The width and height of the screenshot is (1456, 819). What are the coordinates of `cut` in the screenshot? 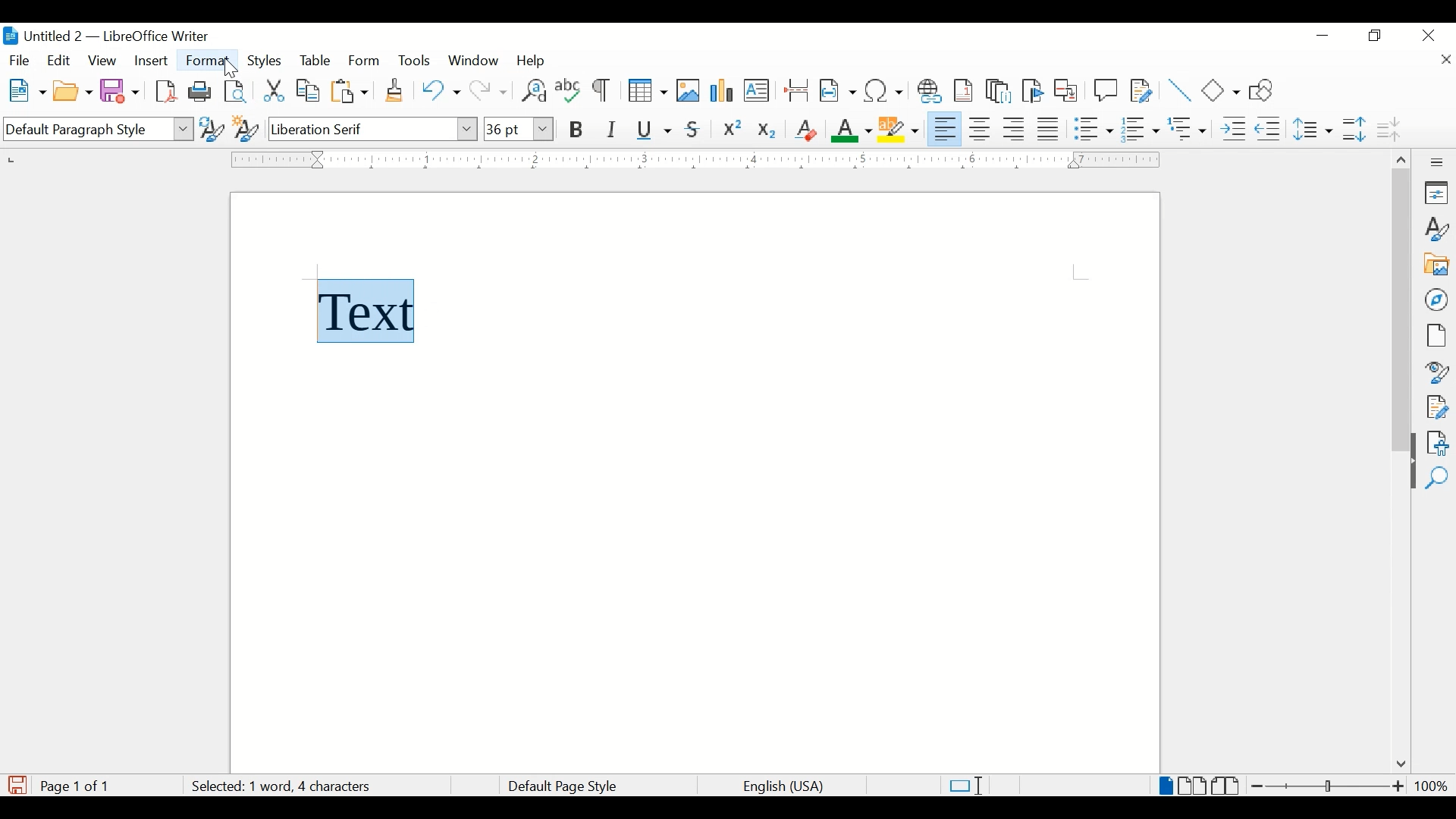 It's located at (275, 90).